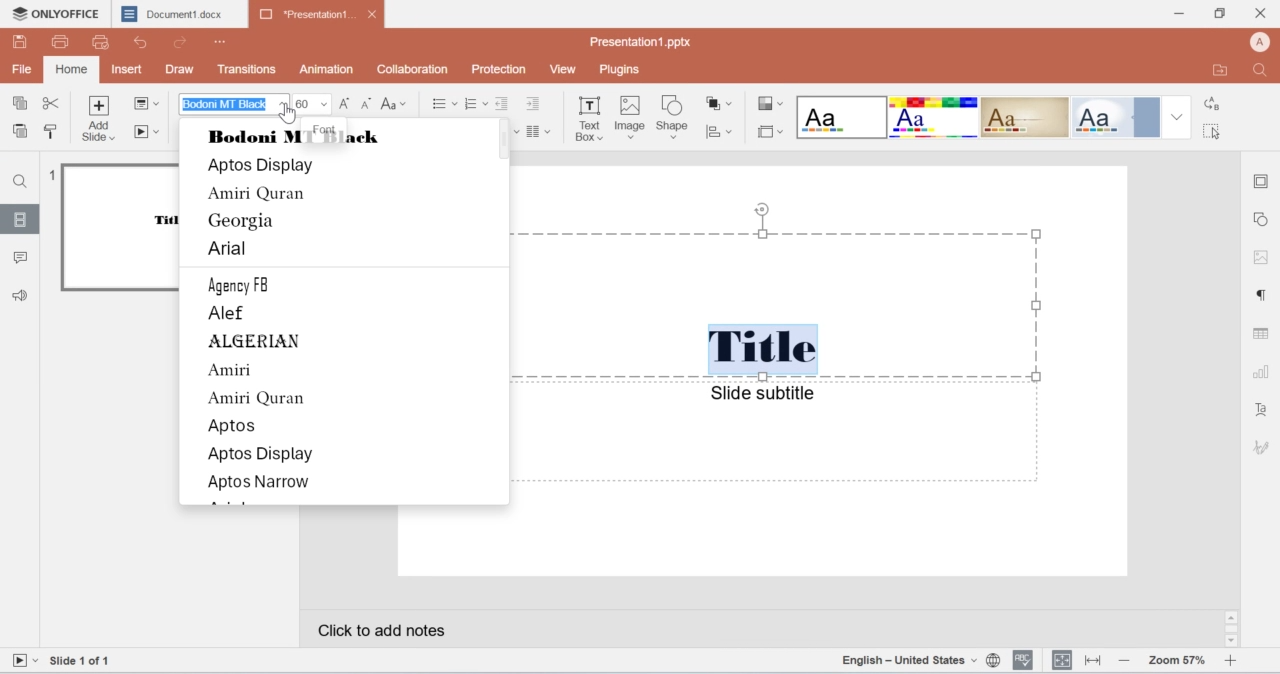 The image size is (1280, 674). Describe the element at coordinates (1262, 446) in the screenshot. I see `icon` at that location.